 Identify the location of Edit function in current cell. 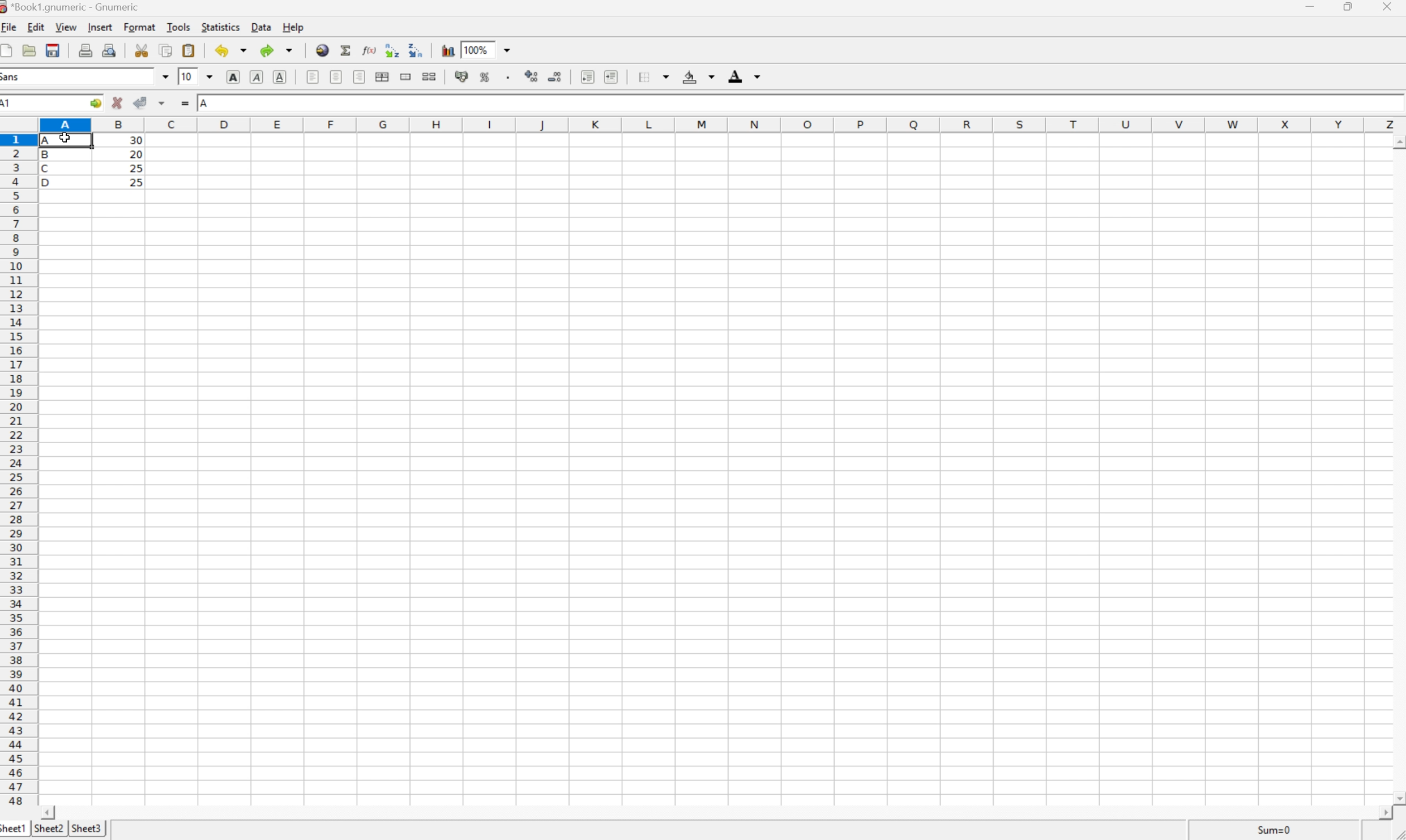
(371, 49).